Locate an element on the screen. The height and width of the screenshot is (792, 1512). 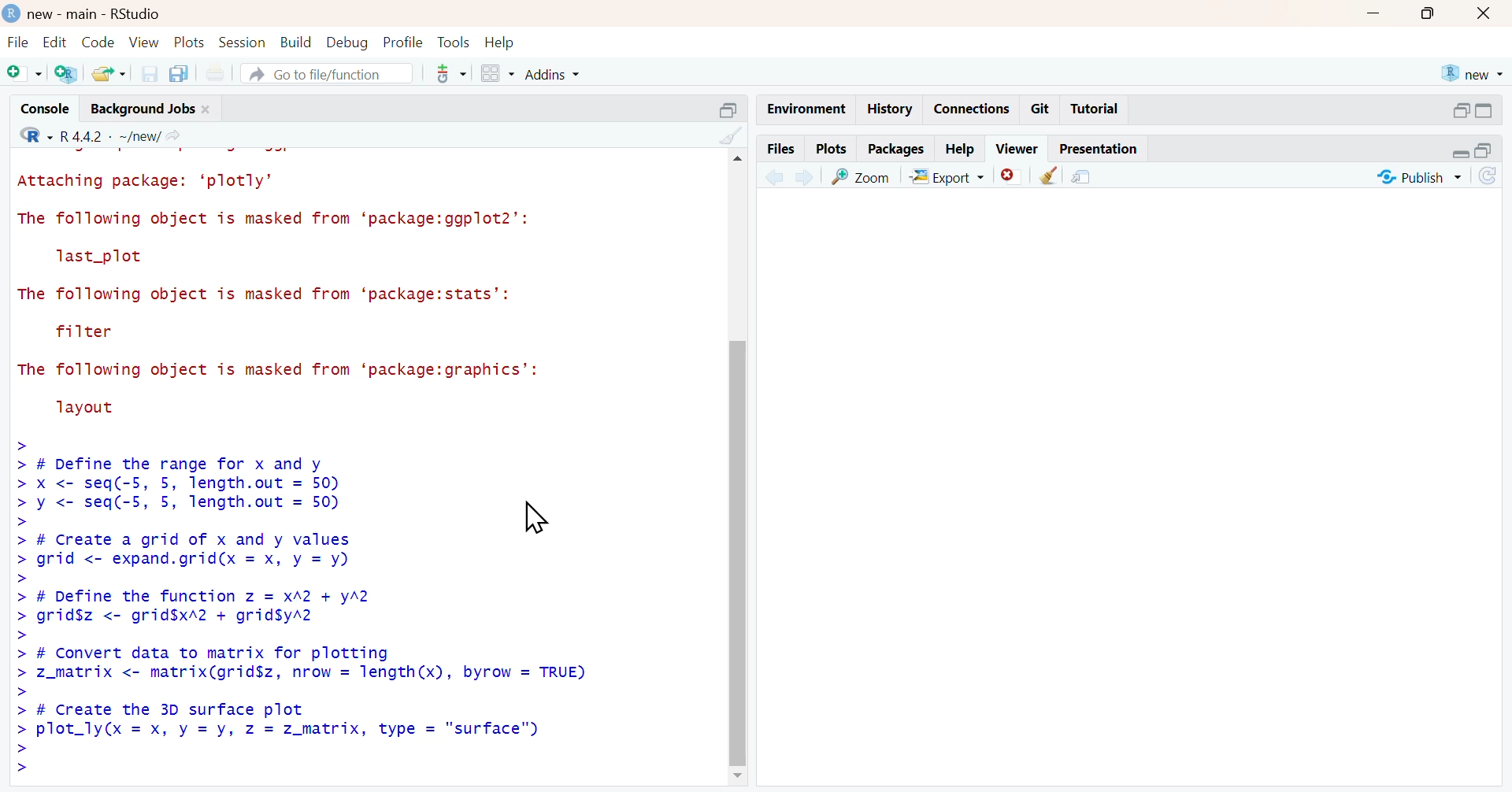
file is located at coordinates (16, 42).